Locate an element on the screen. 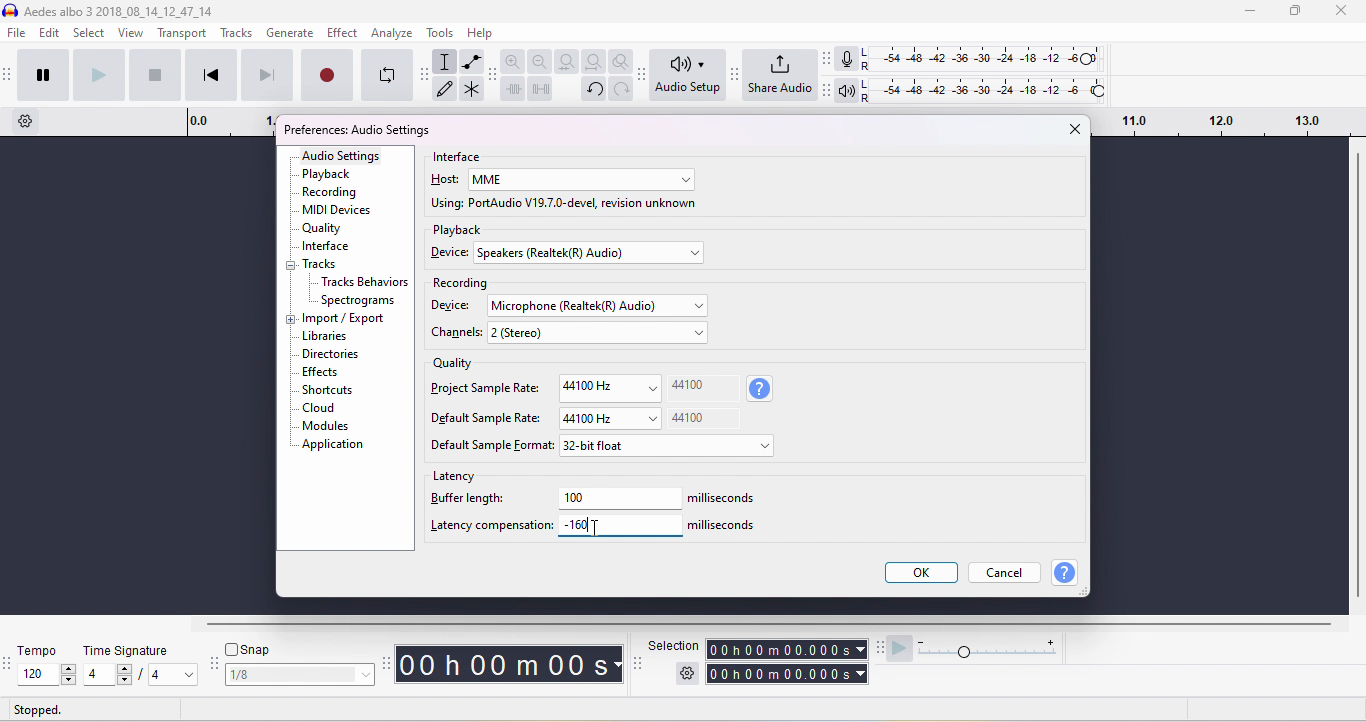 The width and height of the screenshot is (1366, 722). audacity play at speed toolbar is located at coordinates (881, 648).